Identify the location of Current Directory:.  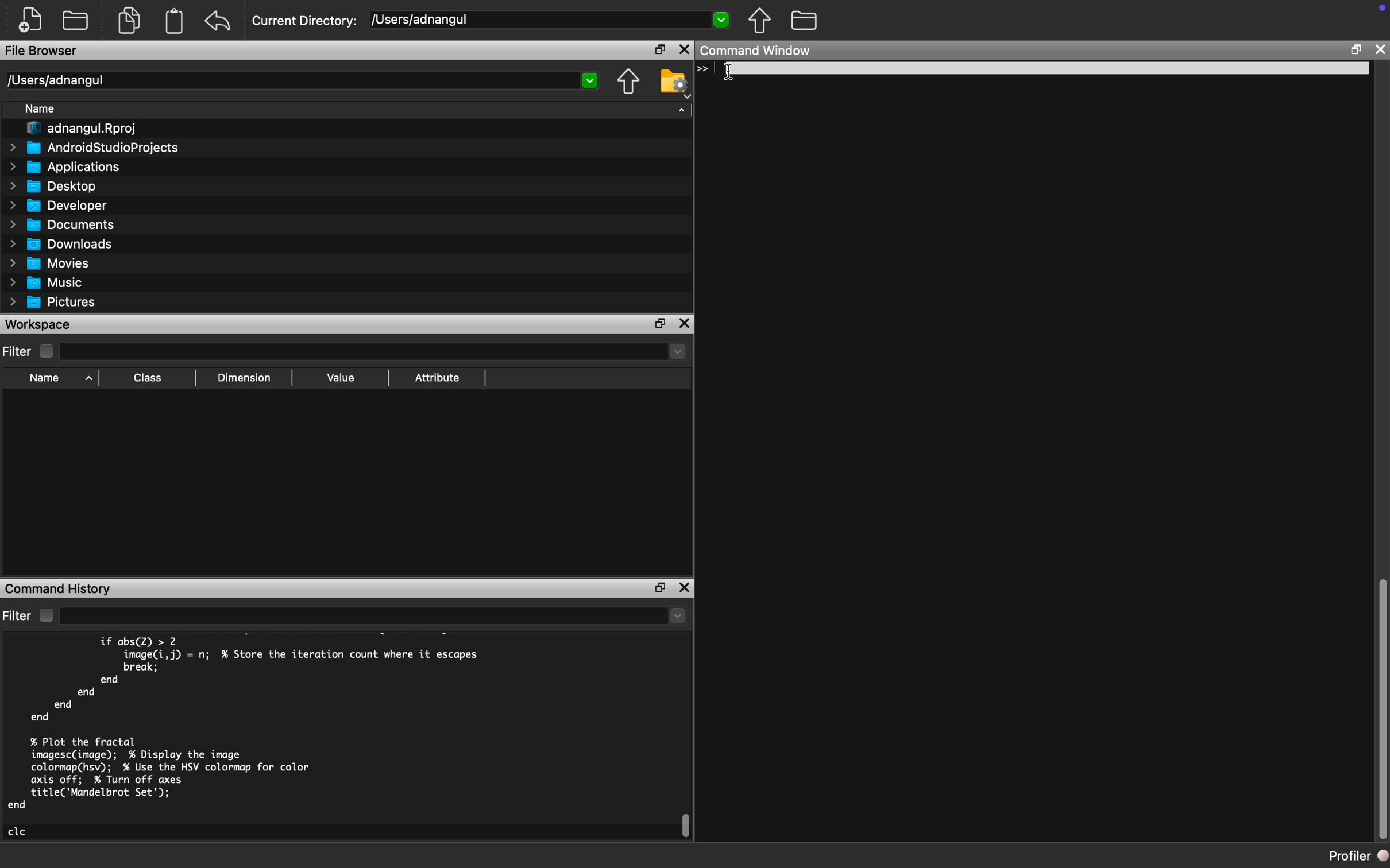
(307, 20).